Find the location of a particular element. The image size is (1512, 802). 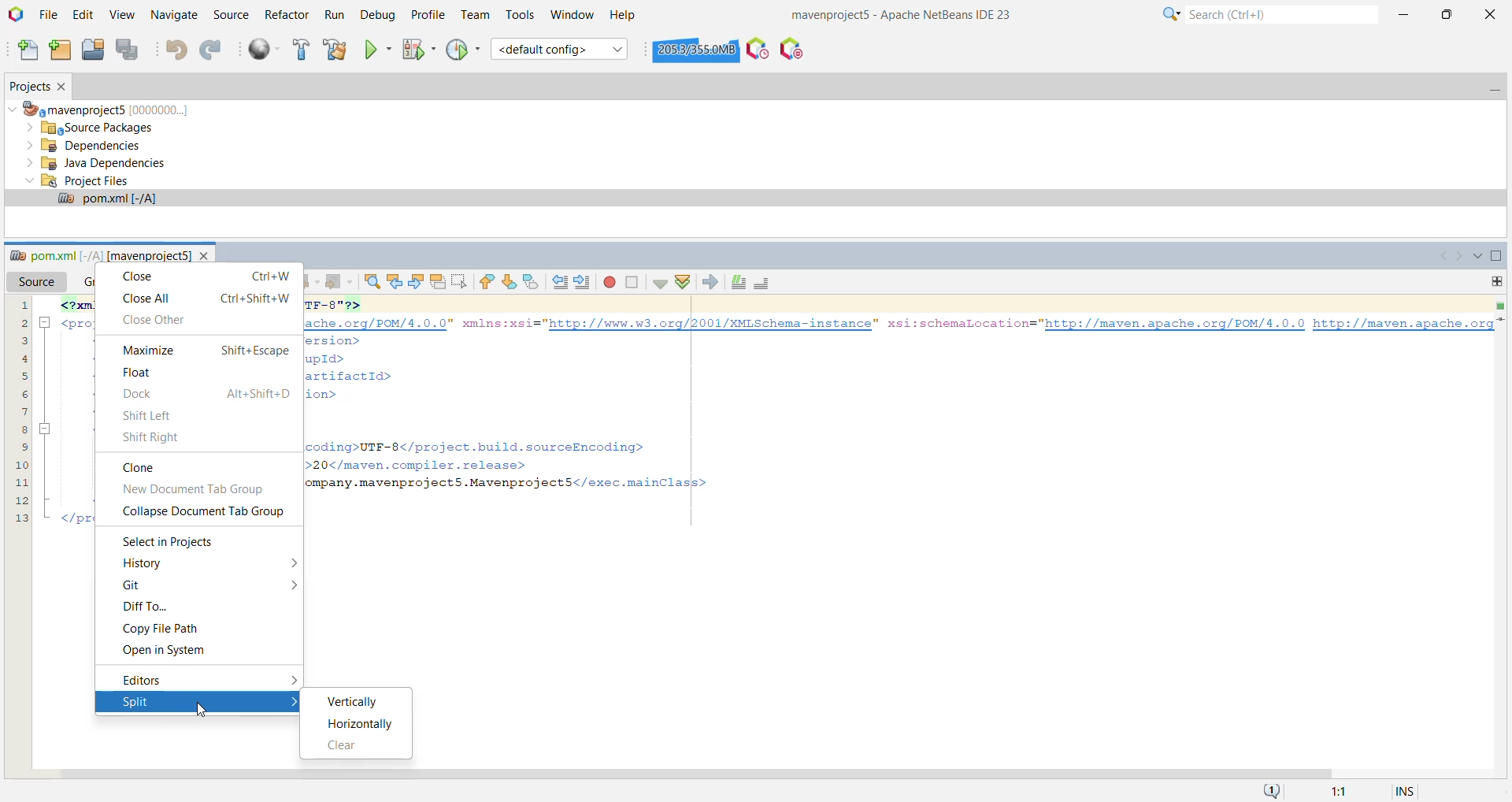

Insert Mode is located at coordinates (1408, 789).